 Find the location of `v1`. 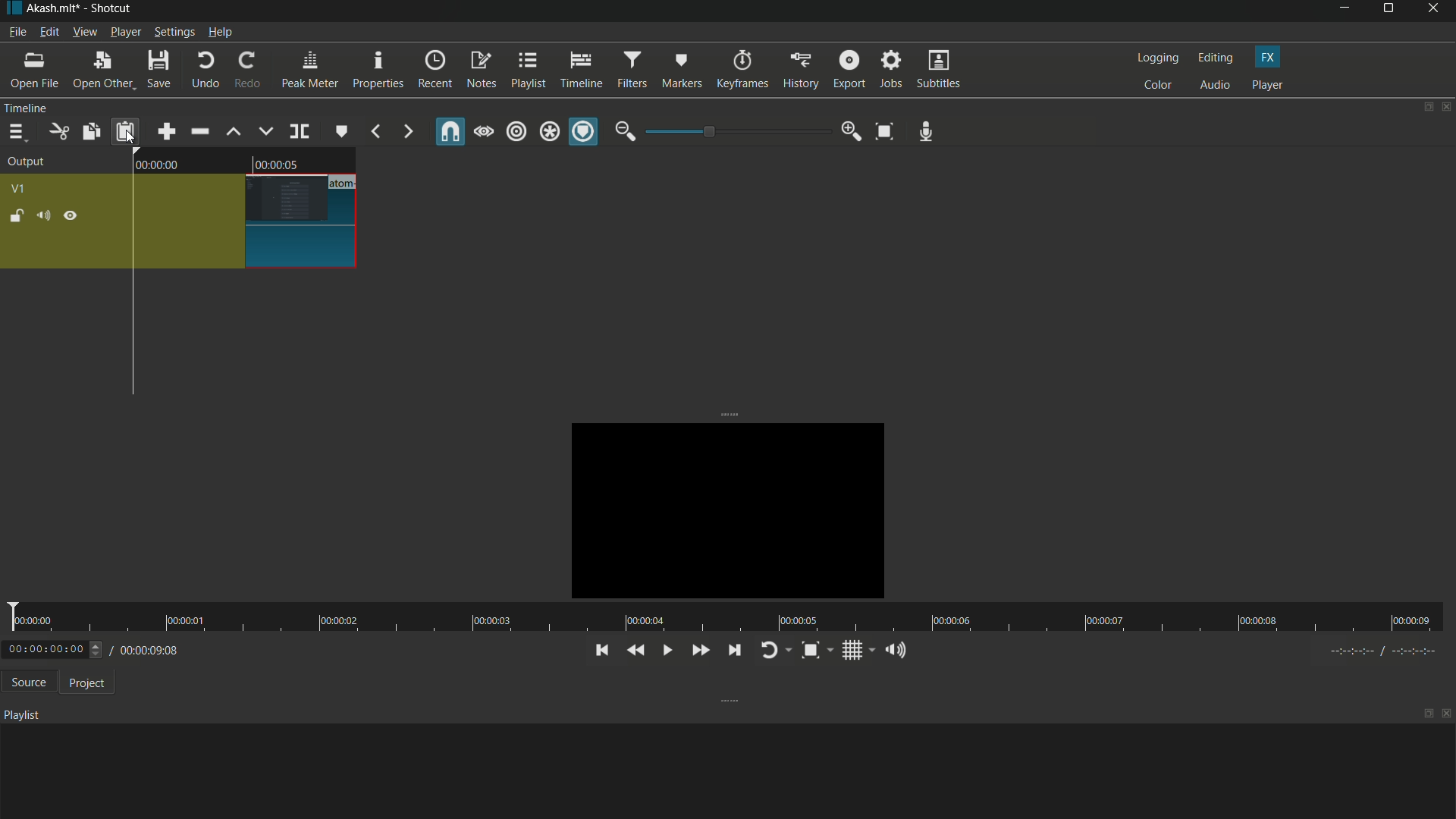

v1 is located at coordinates (17, 190).